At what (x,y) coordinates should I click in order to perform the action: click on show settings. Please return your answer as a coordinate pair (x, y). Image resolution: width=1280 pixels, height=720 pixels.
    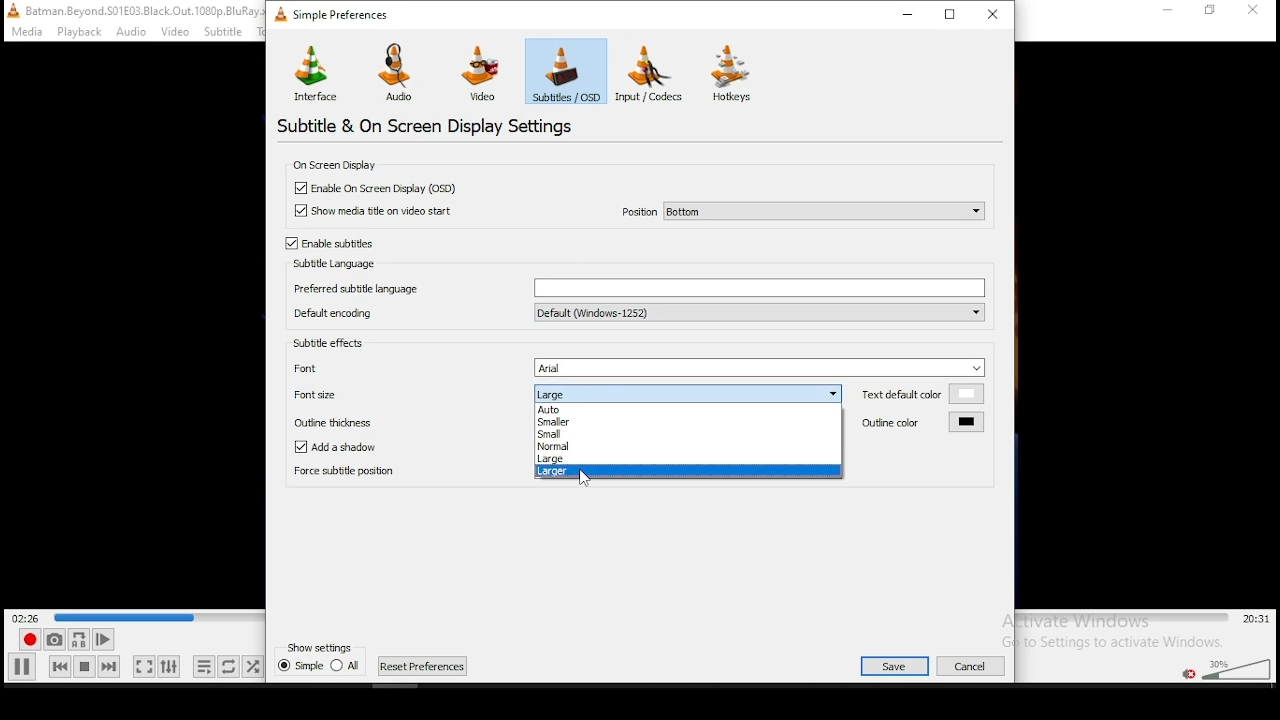
    Looking at the image, I should click on (322, 647).